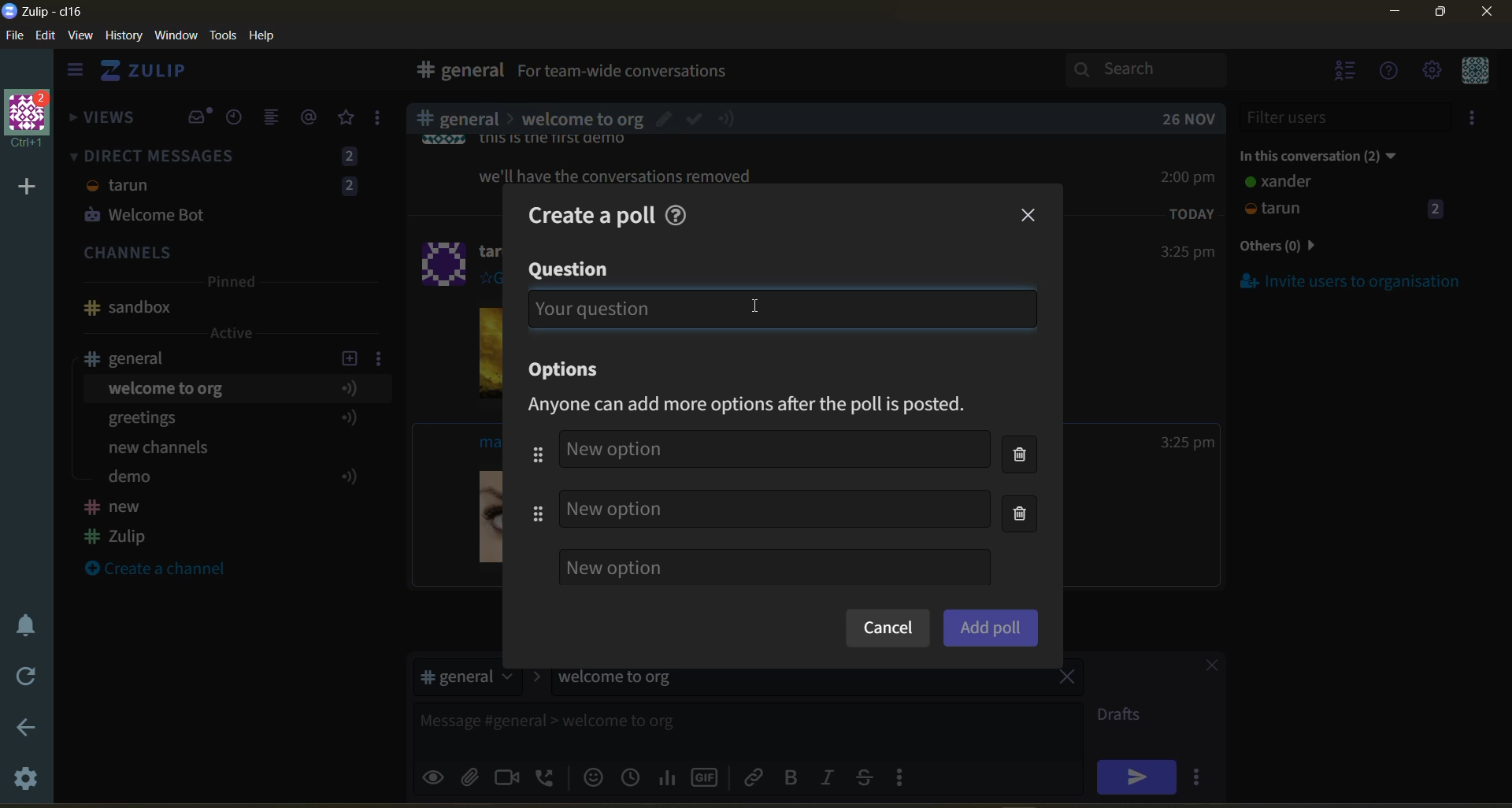 This screenshot has width=1512, height=808. What do you see at coordinates (228, 188) in the screenshot?
I see `direct messages` at bounding box center [228, 188].